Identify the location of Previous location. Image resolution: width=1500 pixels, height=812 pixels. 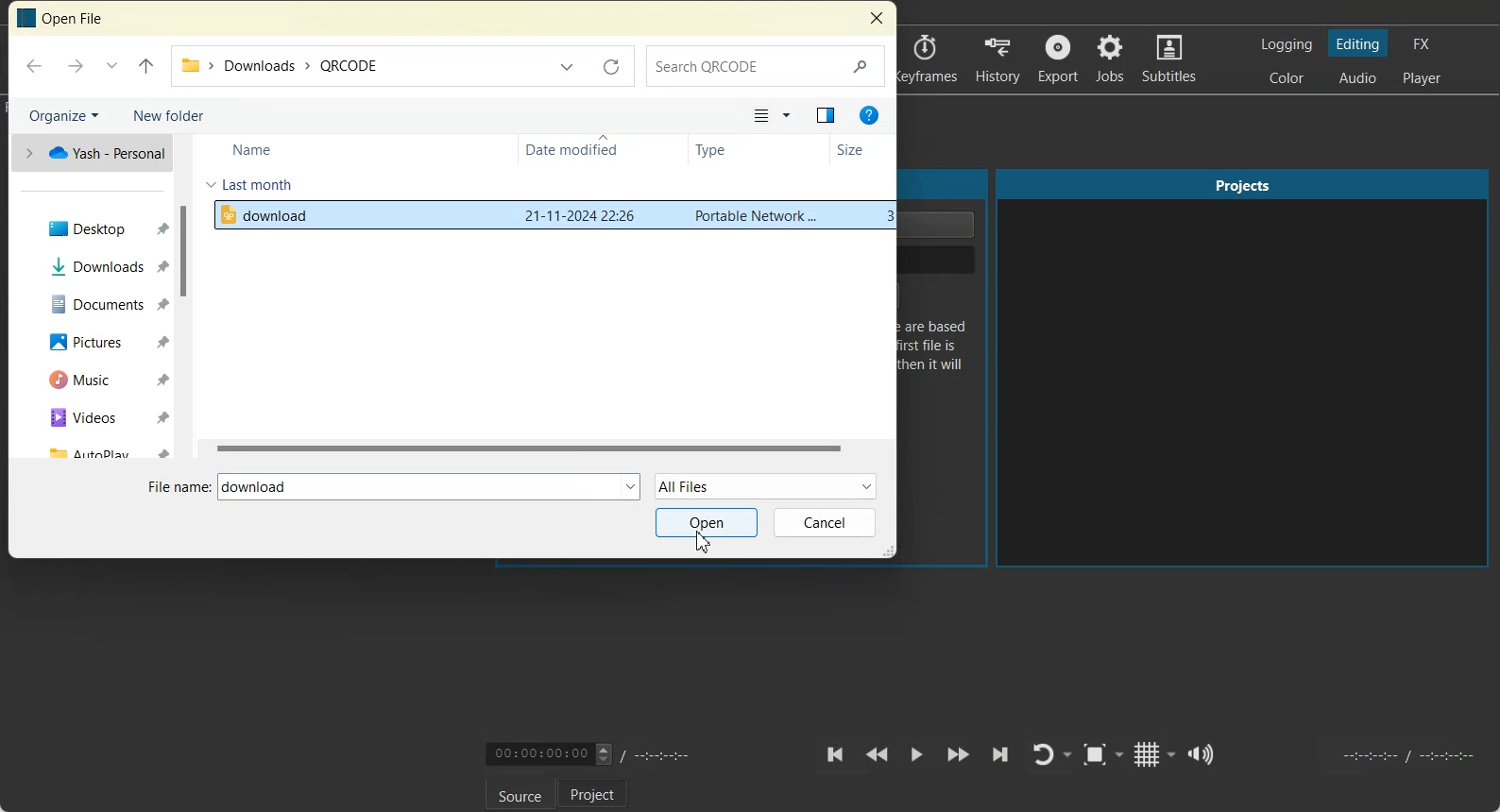
(569, 64).